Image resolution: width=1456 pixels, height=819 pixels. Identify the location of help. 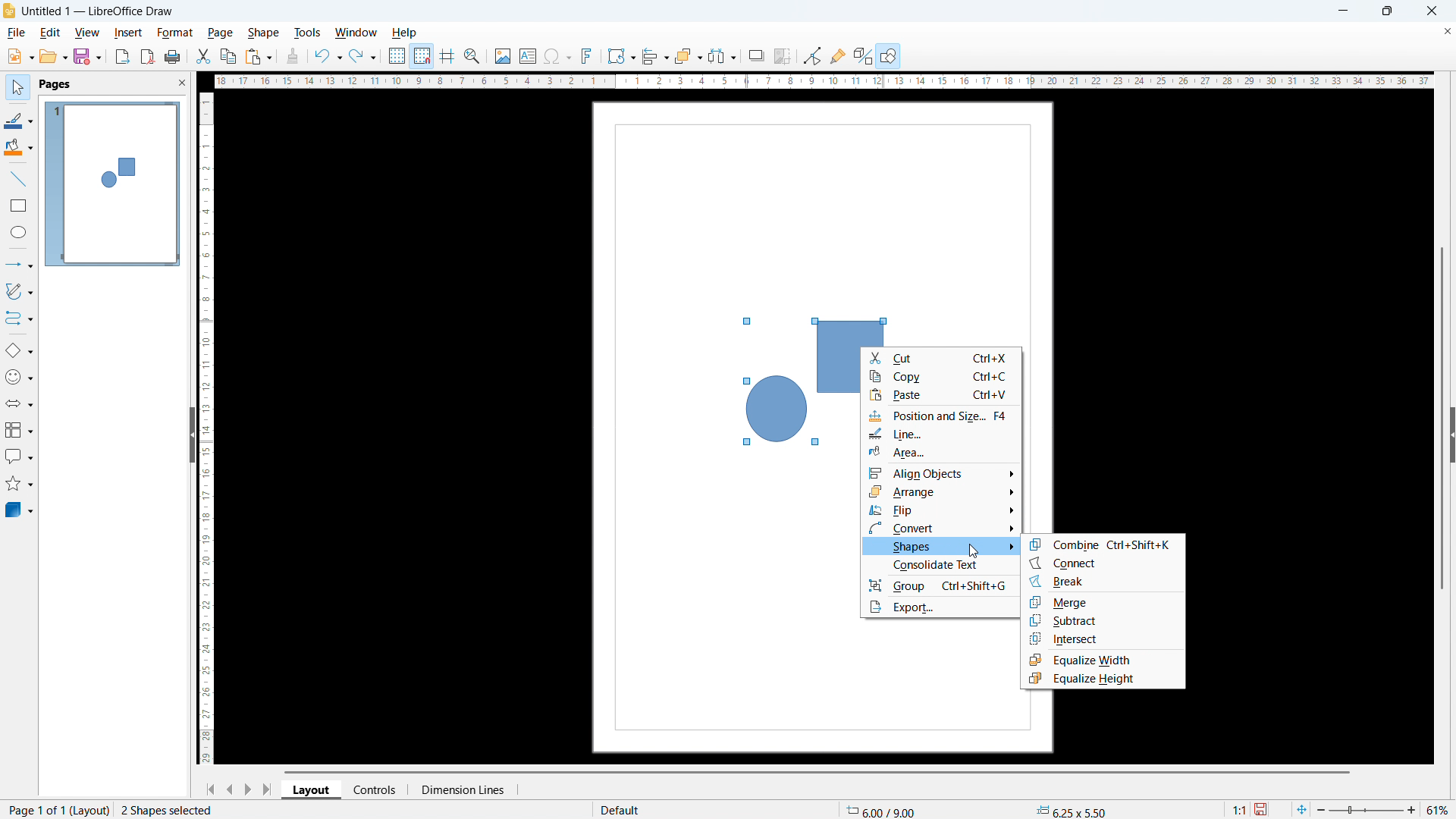
(405, 33).